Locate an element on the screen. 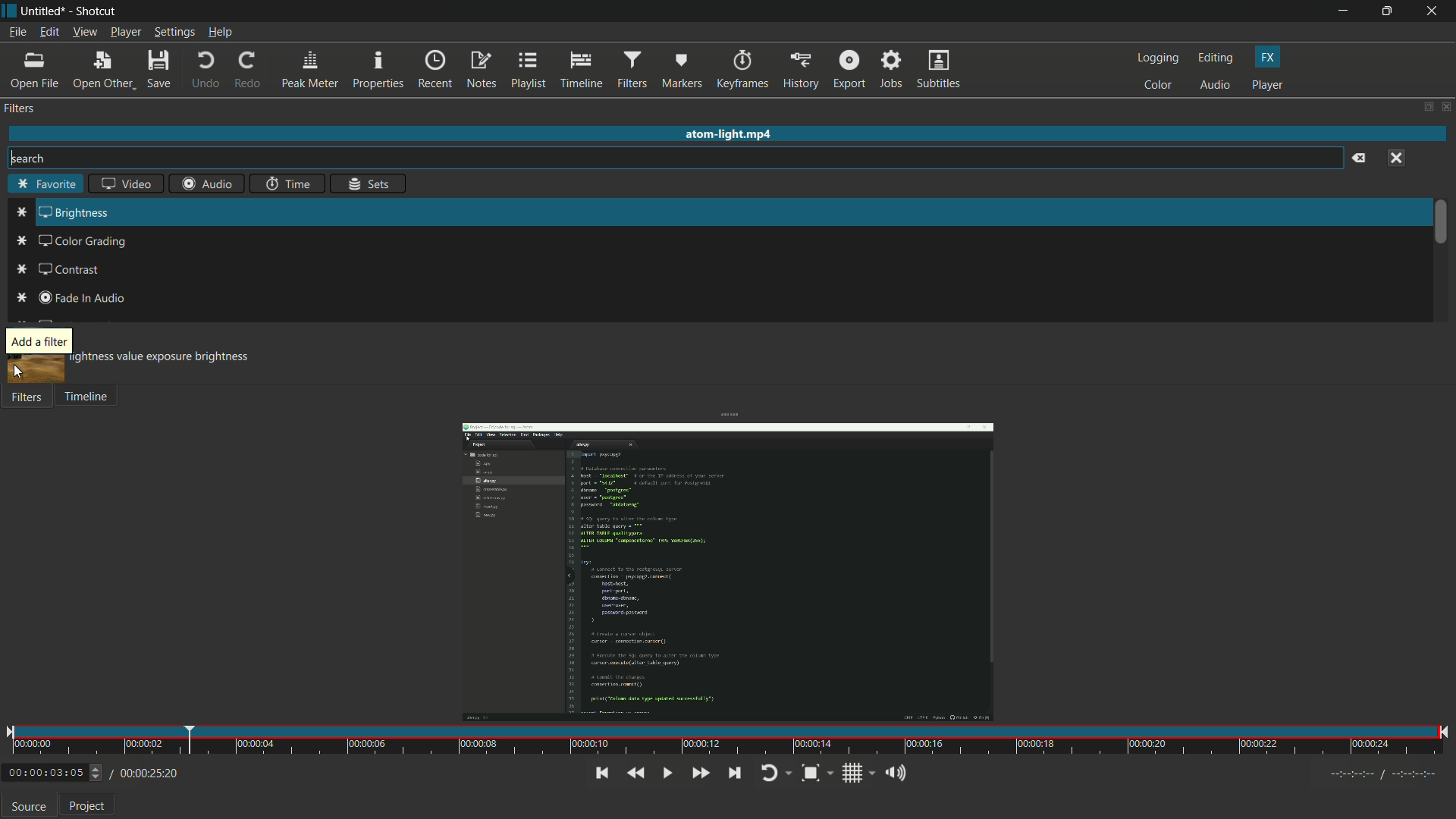 This screenshot has width=1456, height=819. scroll bar is located at coordinates (1439, 221).